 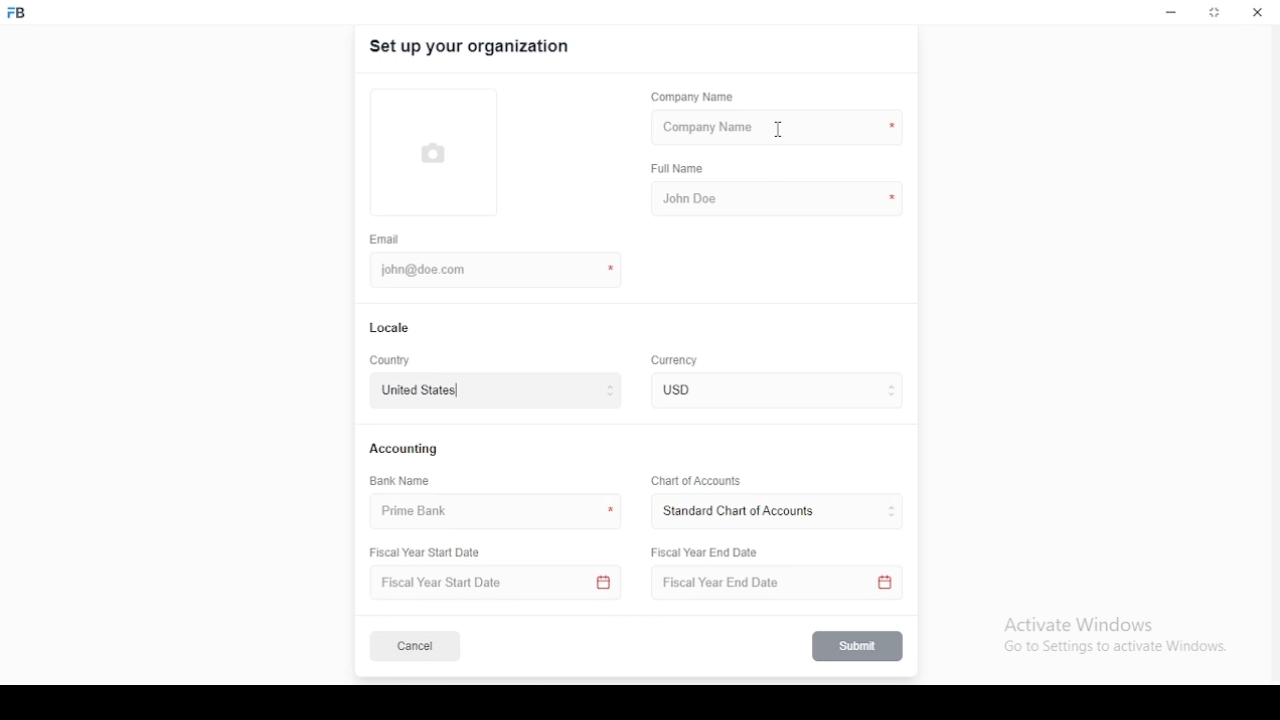 I want to click on company name, so click(x=692, y=97).